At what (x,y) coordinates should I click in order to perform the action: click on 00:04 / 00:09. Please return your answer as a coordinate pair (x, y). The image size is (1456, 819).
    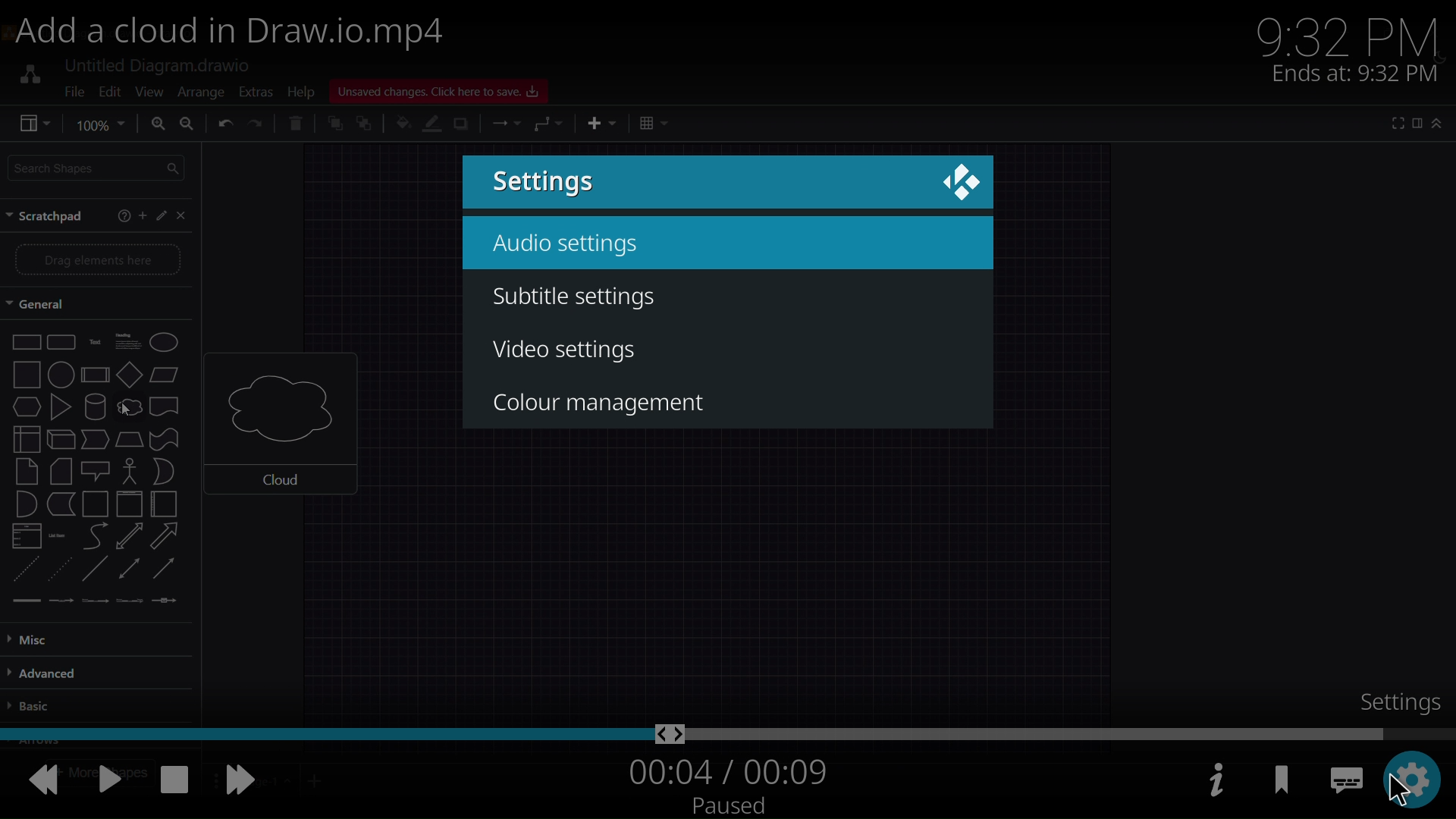
    Looking at the image, I should click on (725, 772).